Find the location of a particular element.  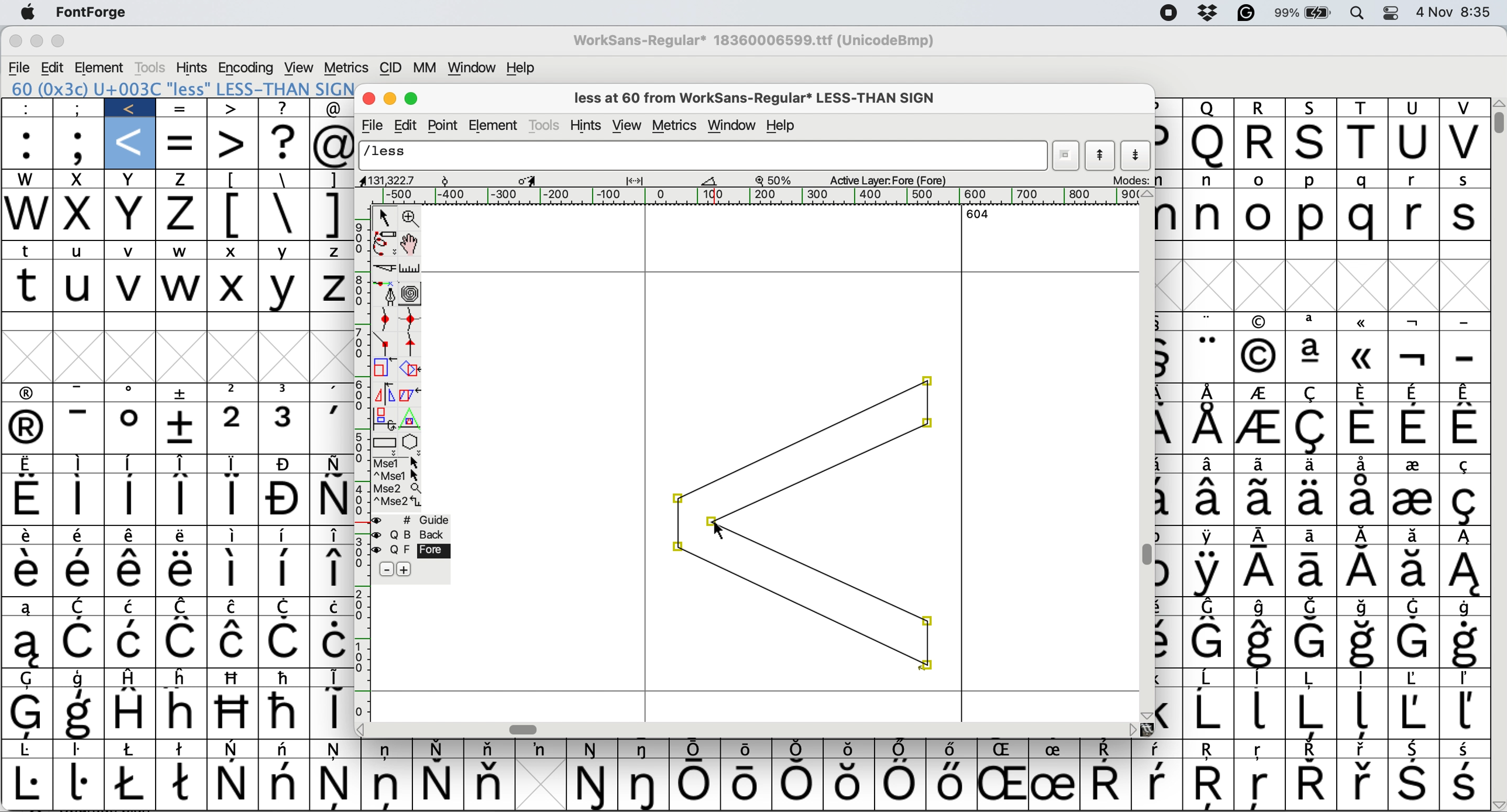

Symbol is located at coordinates (80, 713).